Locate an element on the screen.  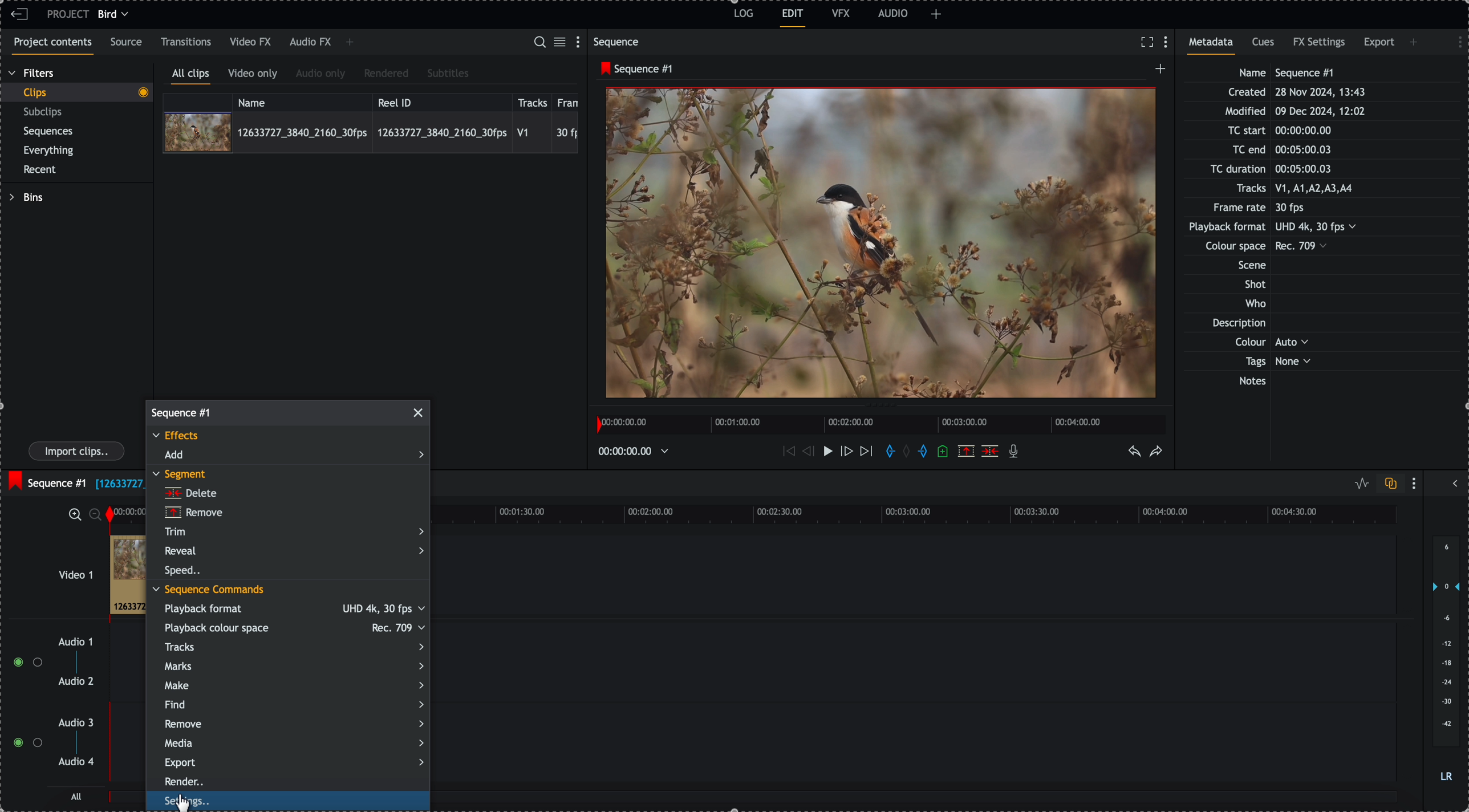
click on settings is located at coordinates (289, 802).